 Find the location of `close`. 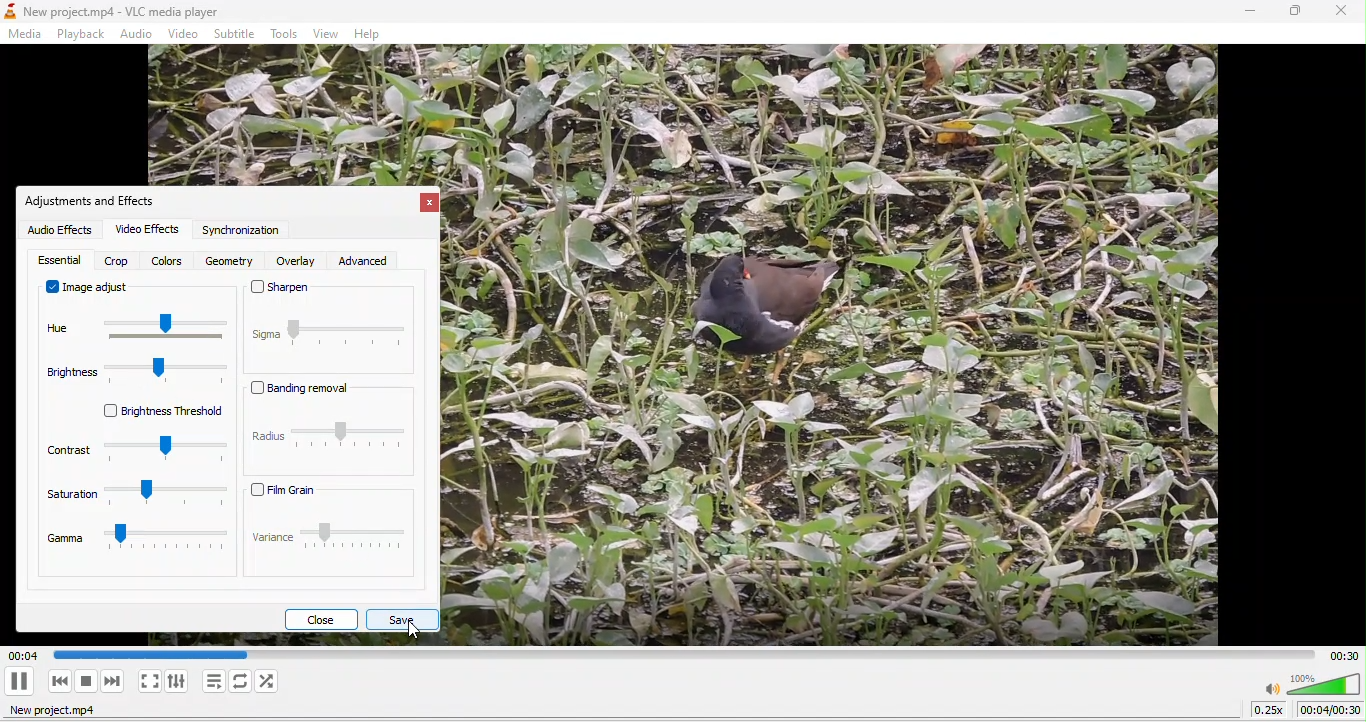

close is located at coordinates (321, 619).